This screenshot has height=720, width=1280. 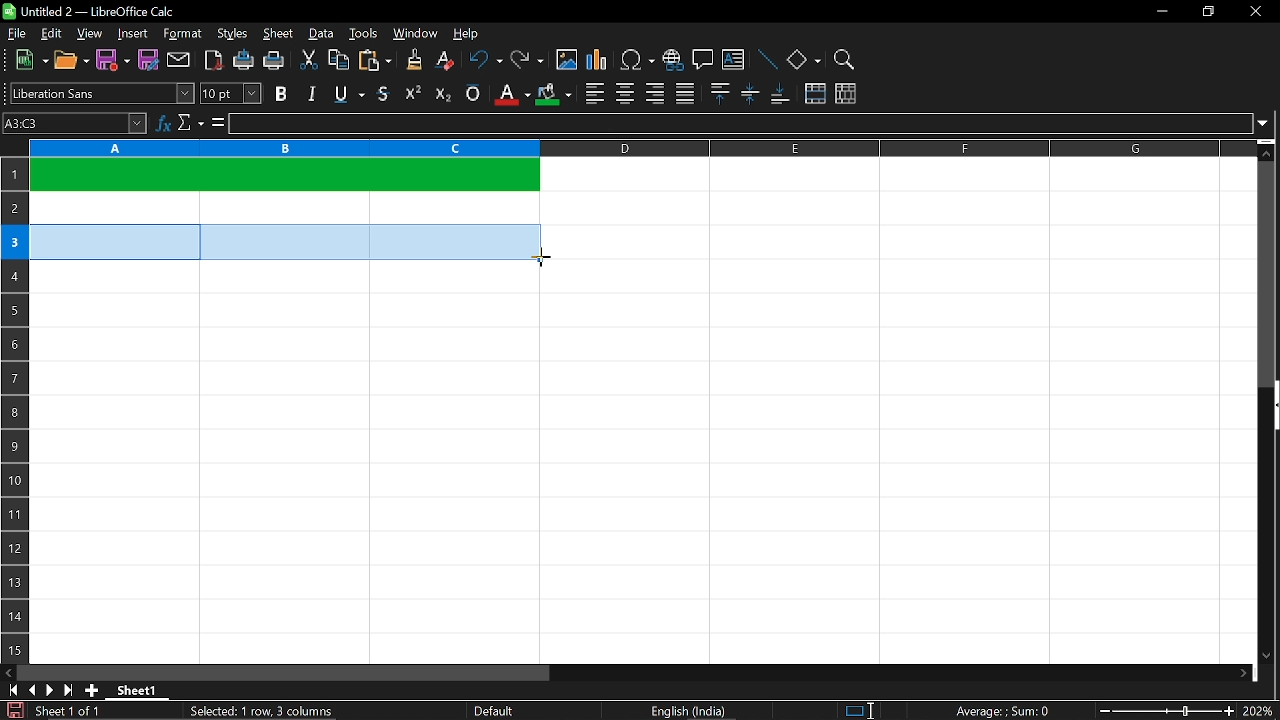 I want to click on new, so click(x=27, y=61).